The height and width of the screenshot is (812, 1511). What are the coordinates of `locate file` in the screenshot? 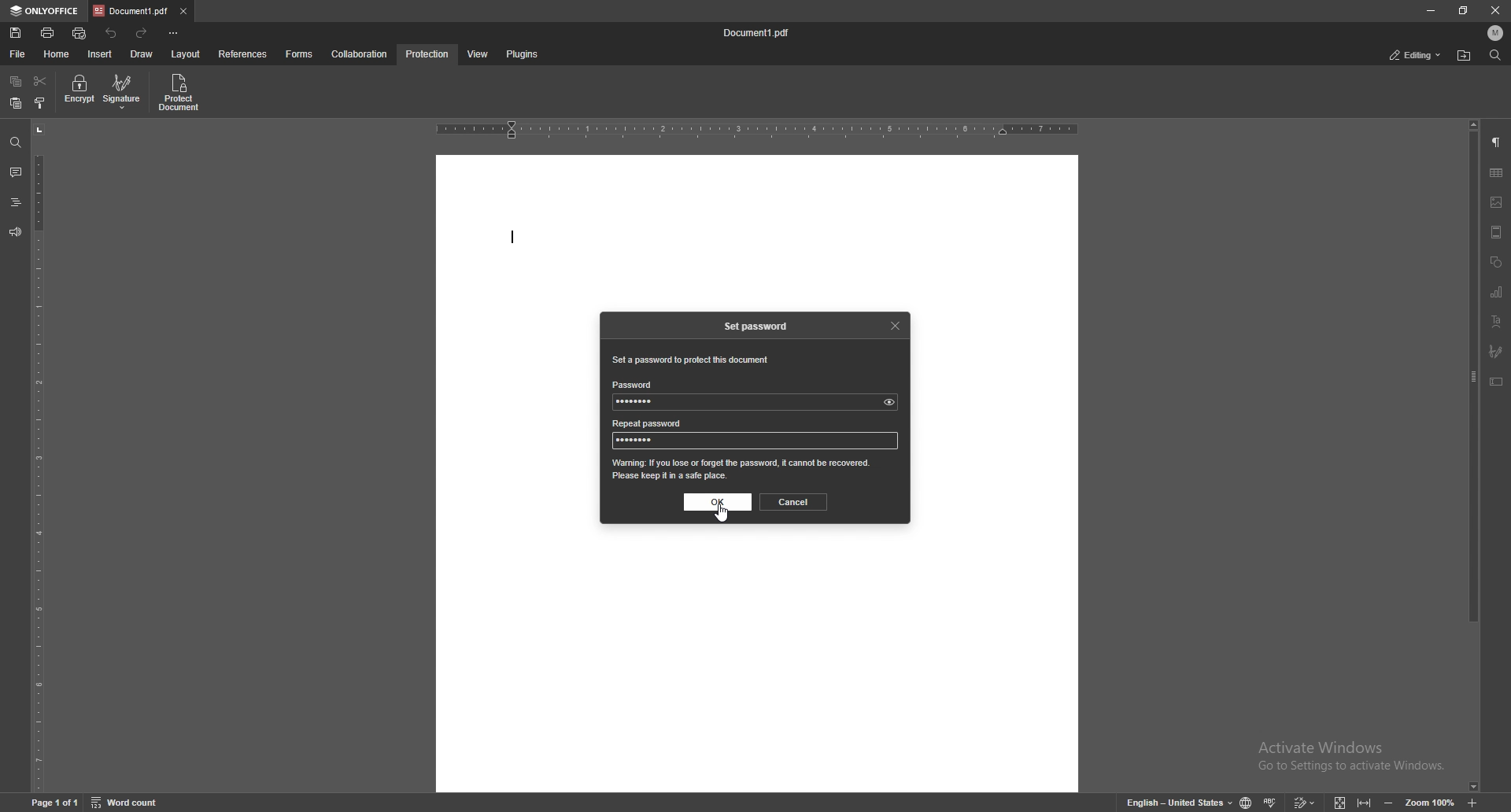 It's located at (1465, 55).